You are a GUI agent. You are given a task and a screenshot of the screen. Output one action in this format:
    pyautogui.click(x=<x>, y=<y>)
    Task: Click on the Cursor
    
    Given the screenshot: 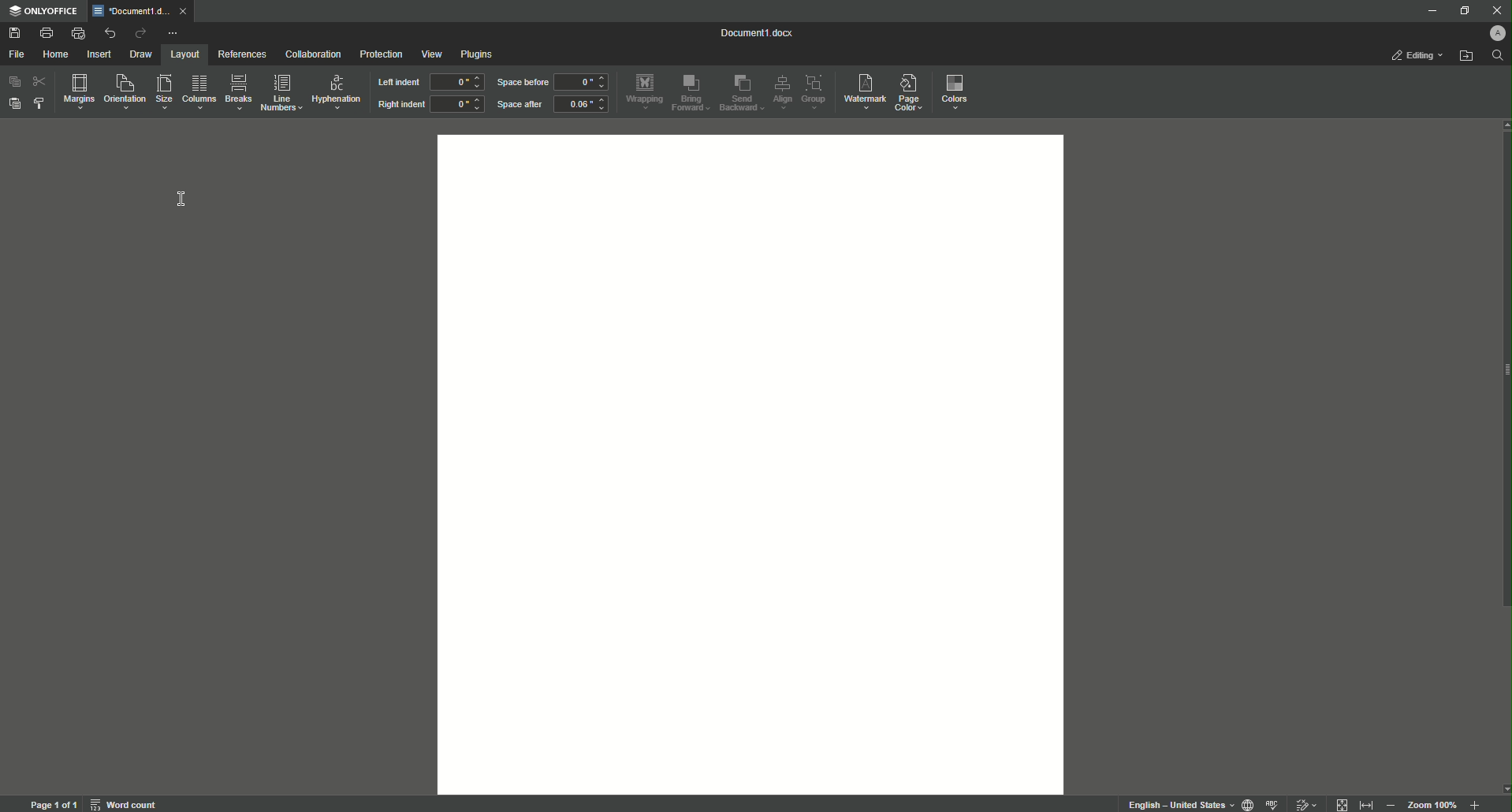 What is the action you would take?
    pyautogui.click(x=184, y=199)
    